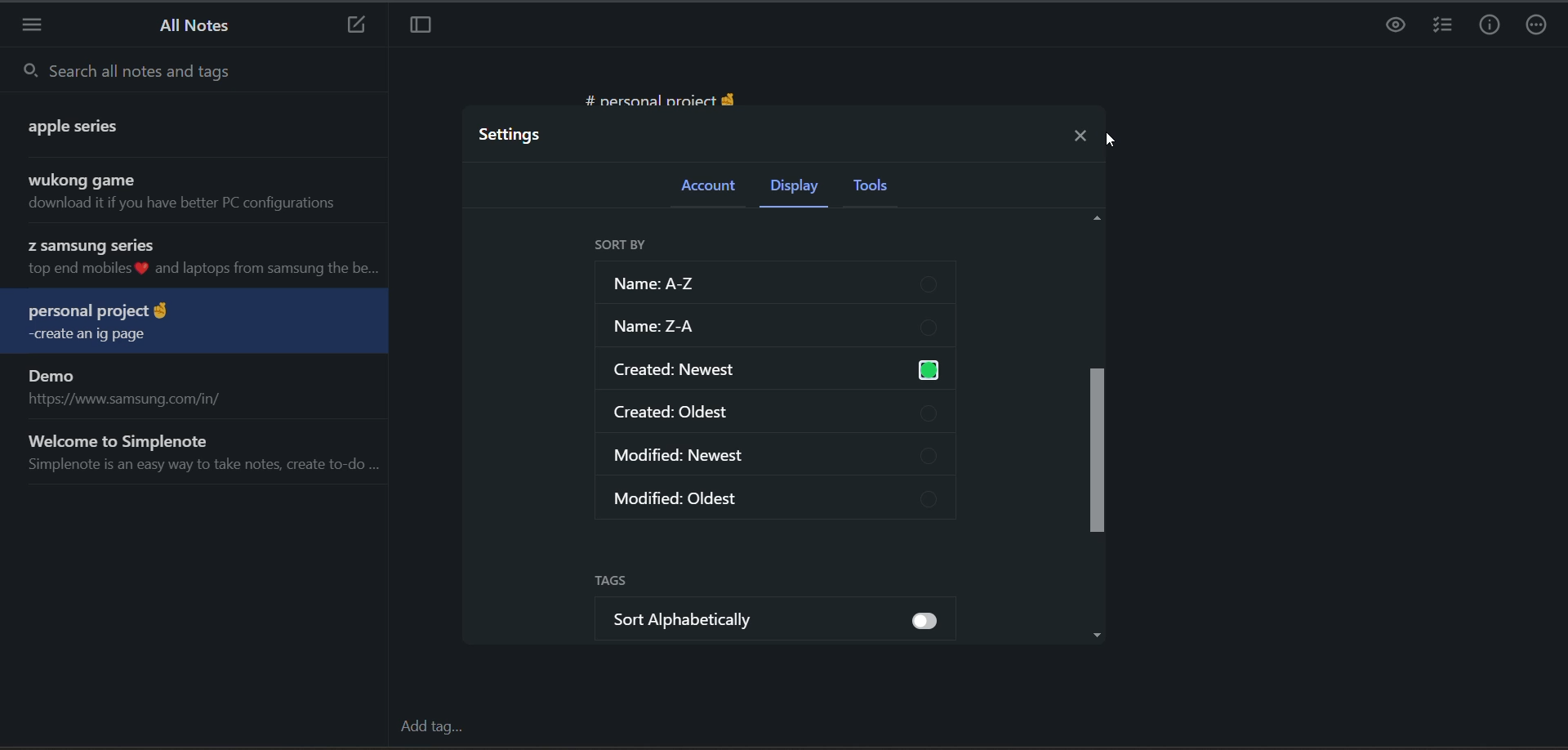 This screenshot has height=750, width=1568. What do you see at coordinates (1076, 136) in the screenshot?
I see `close` at bounding box center [1076, 136].